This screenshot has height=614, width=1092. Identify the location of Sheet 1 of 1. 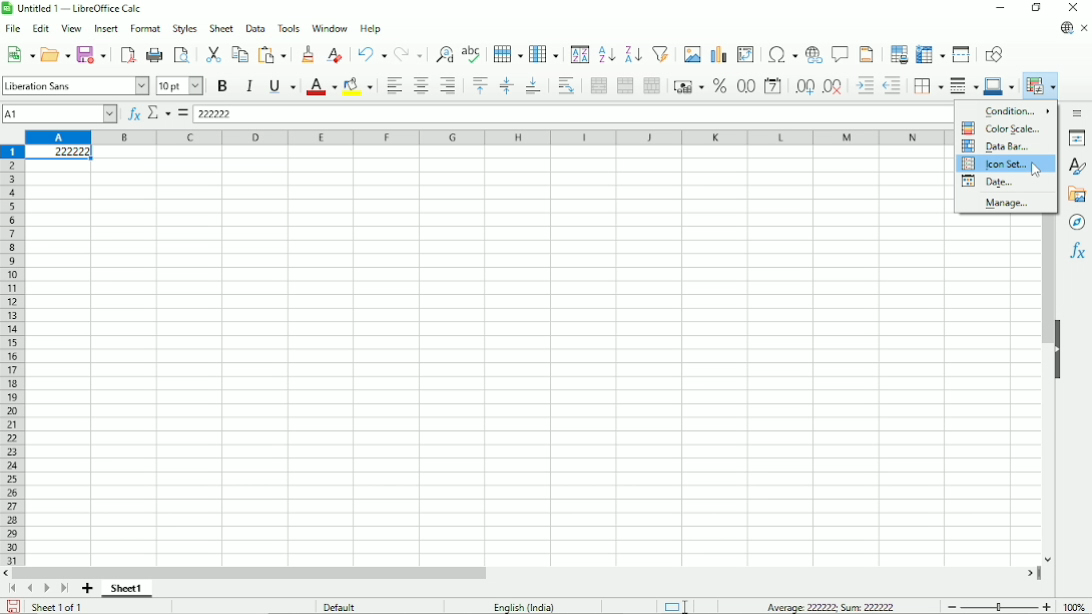
(60, 606).